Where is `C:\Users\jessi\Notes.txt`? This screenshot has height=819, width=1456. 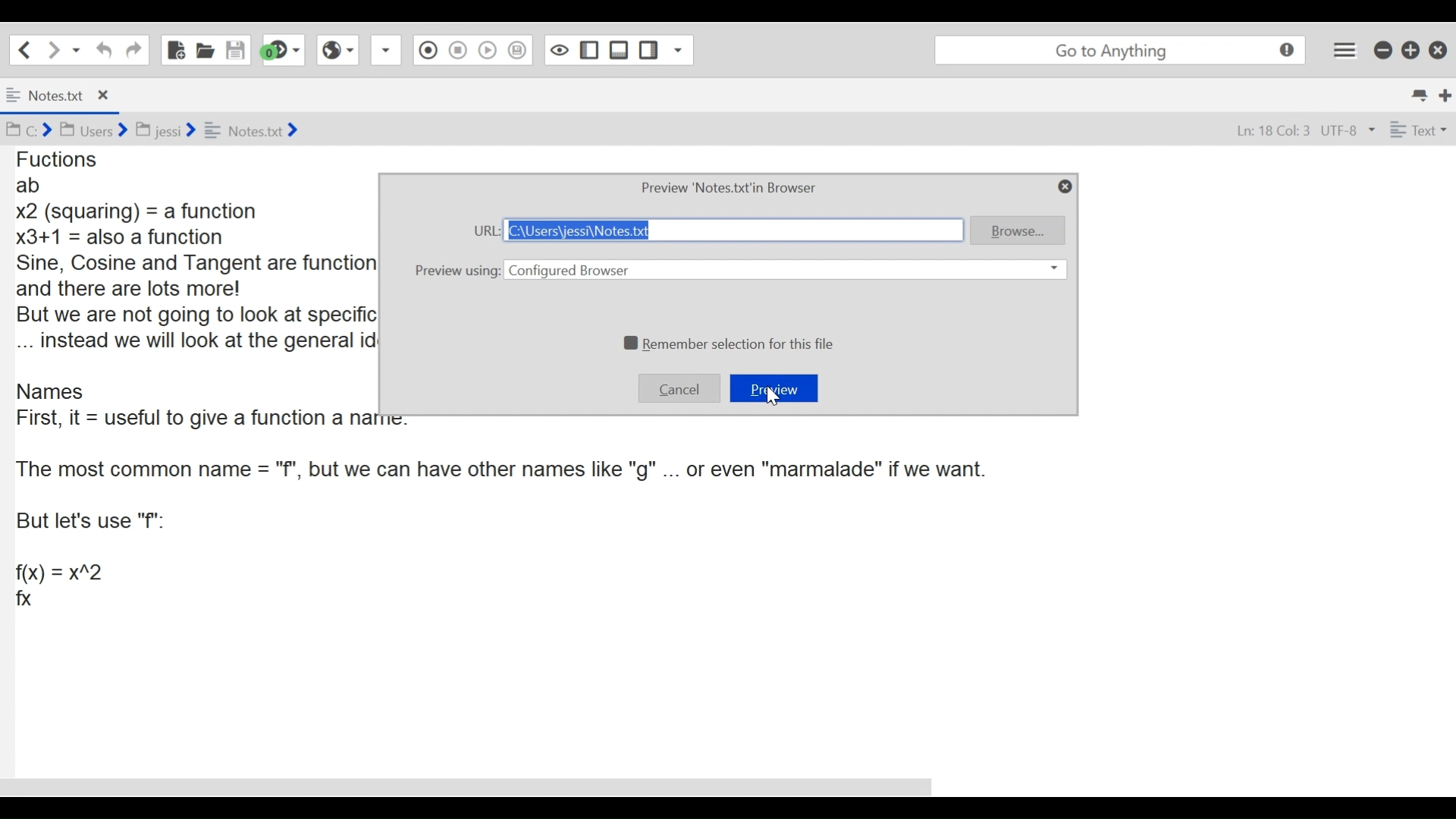 C:\Users\jessi\Notes.txt is located at coordinates (735, 232).